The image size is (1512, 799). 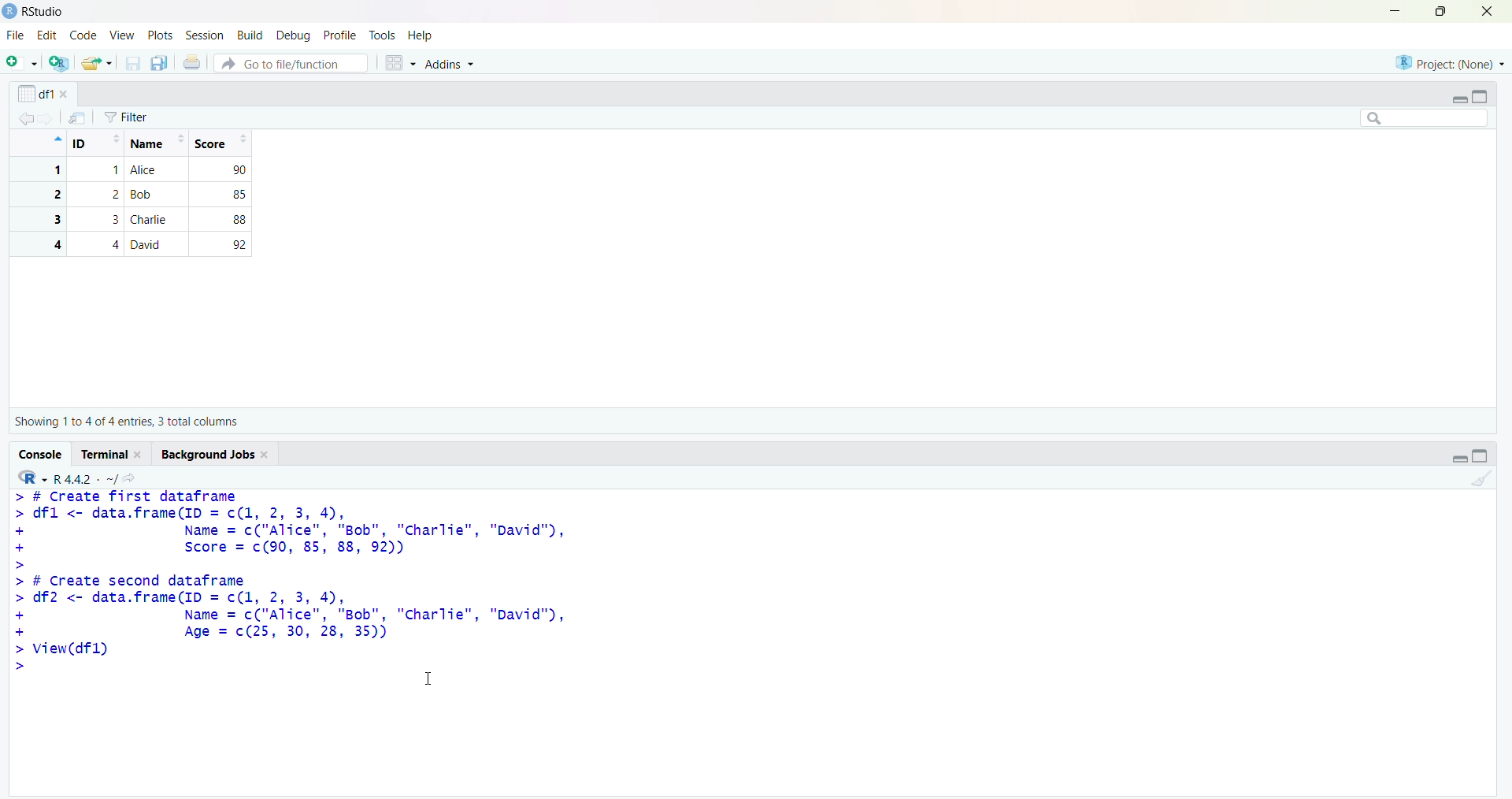 I want to click on send, so click(x=78, y=117).